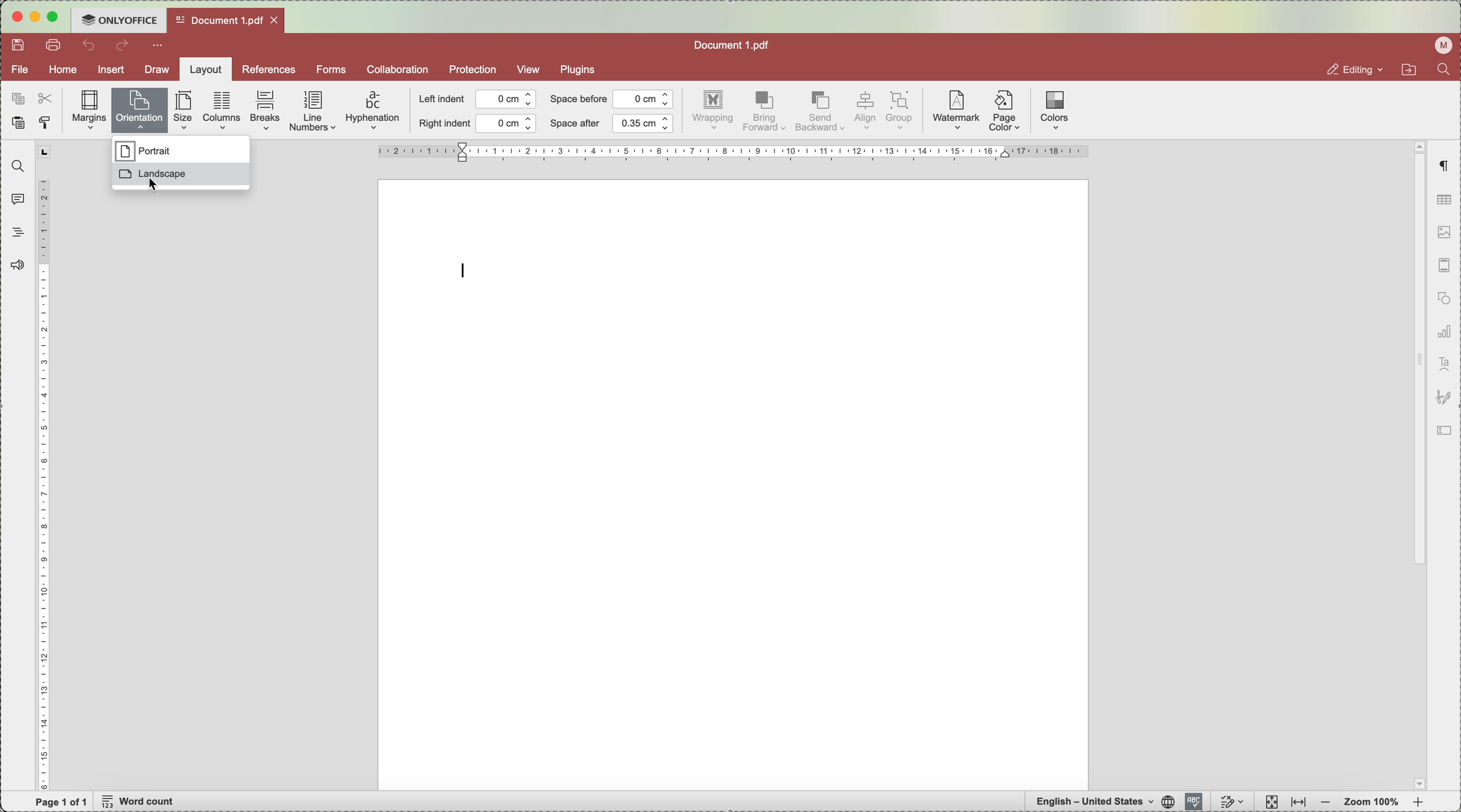  What do you see at coordinates (472, 70) in the screenshot?
I see `protection` at bounding box center [472, 70].